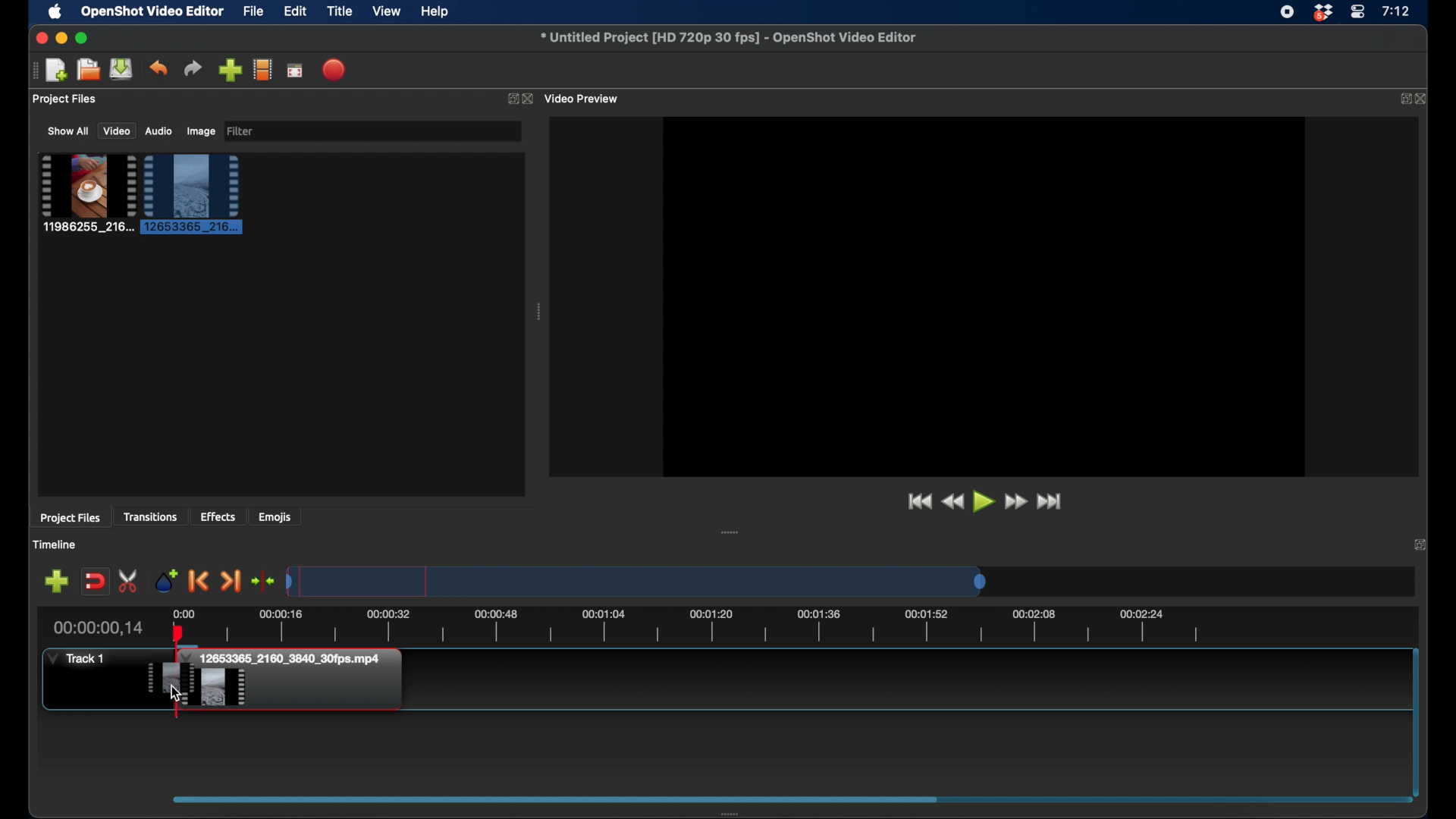 This screenshot has height=819, width=1456. I want to click on video, so click(115, 131).